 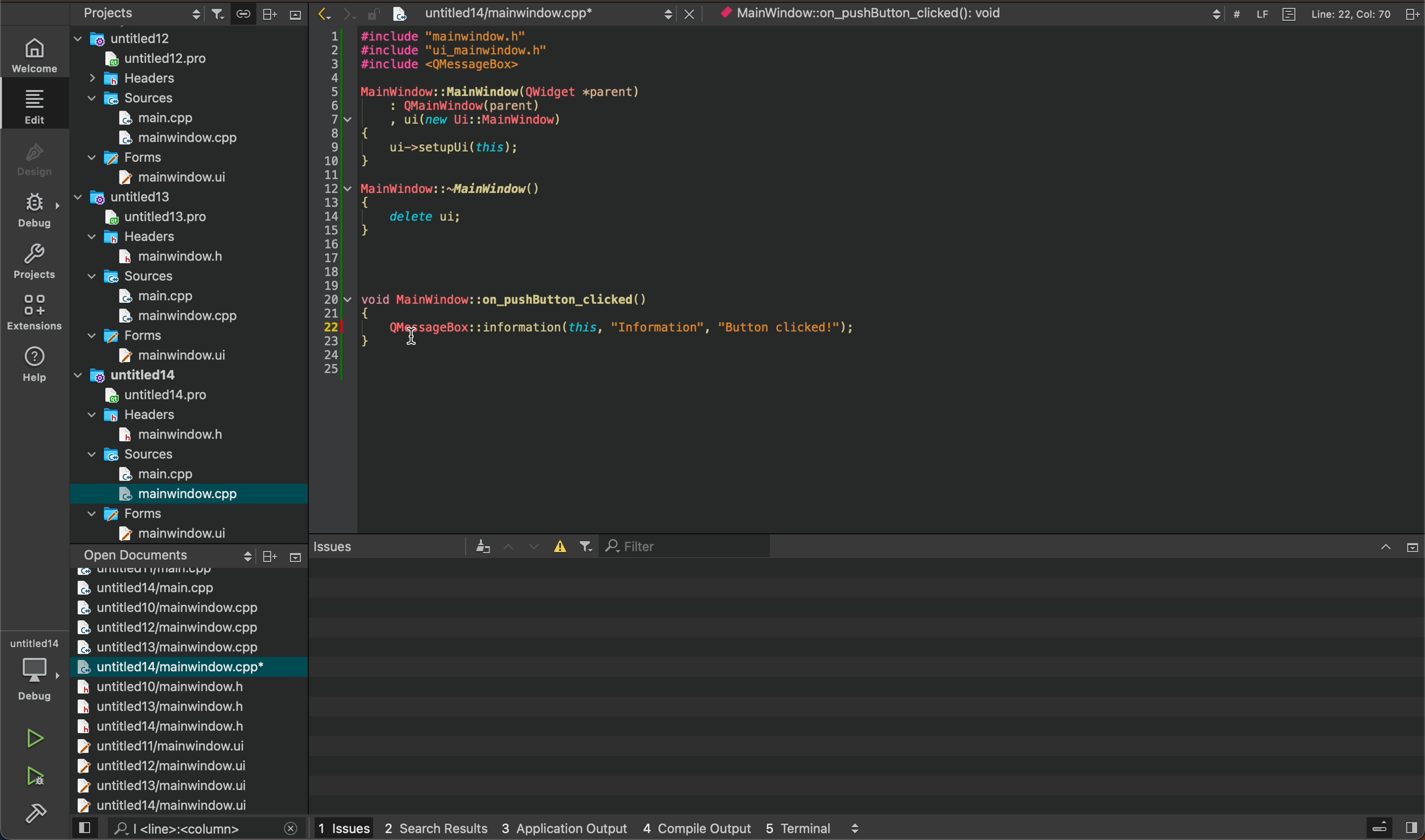 I want to click on main windowh, so click(x=161, y=433).